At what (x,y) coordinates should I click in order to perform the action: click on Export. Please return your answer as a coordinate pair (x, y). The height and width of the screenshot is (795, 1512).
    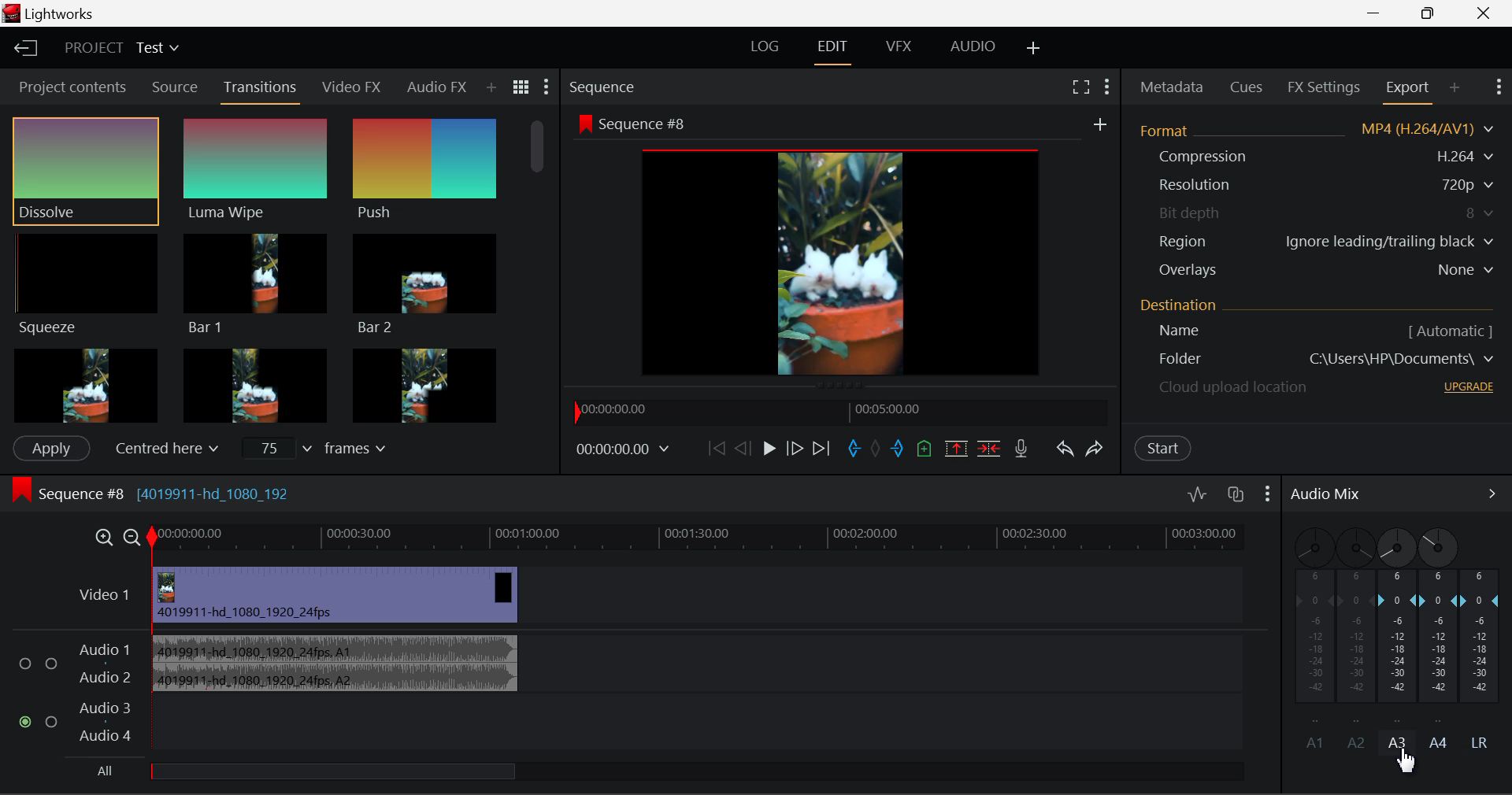
    Looking at the image, I should click on (1405, 91).